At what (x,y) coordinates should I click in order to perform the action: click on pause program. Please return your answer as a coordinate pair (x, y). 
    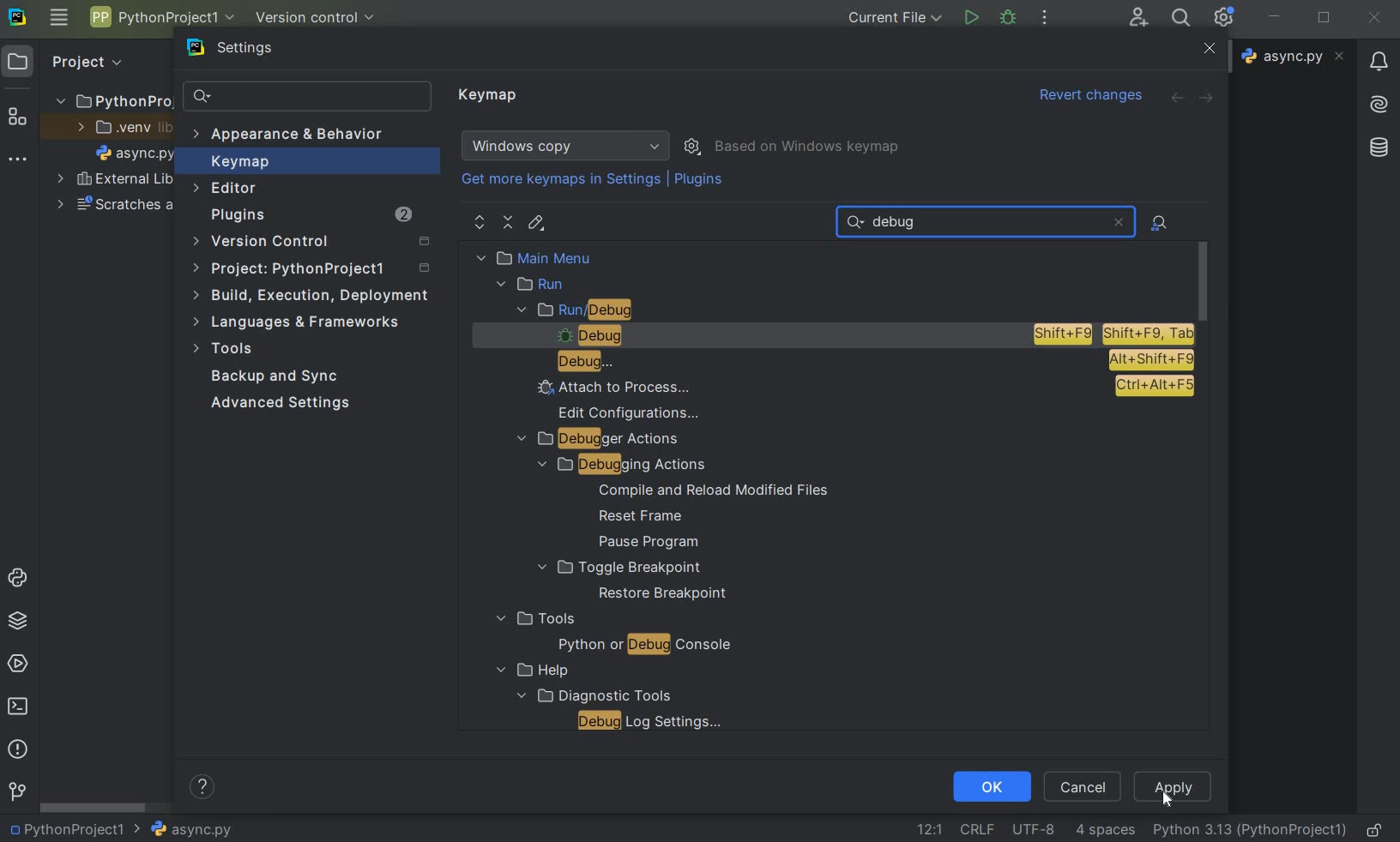
    Looking at the image, I should click on (643, 543).